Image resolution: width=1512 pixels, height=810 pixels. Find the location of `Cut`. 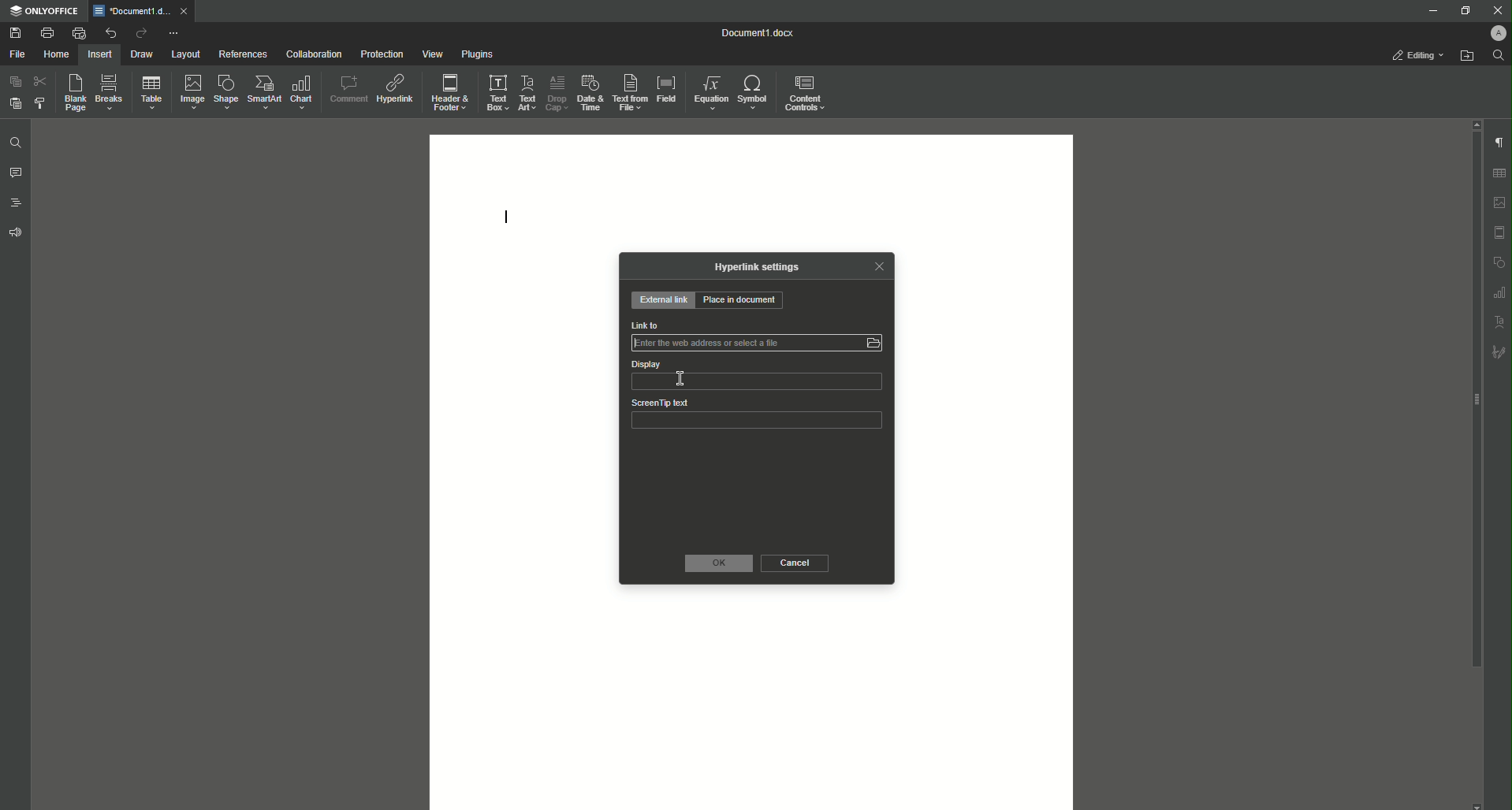

Cut is located at coordinates (39, 82).